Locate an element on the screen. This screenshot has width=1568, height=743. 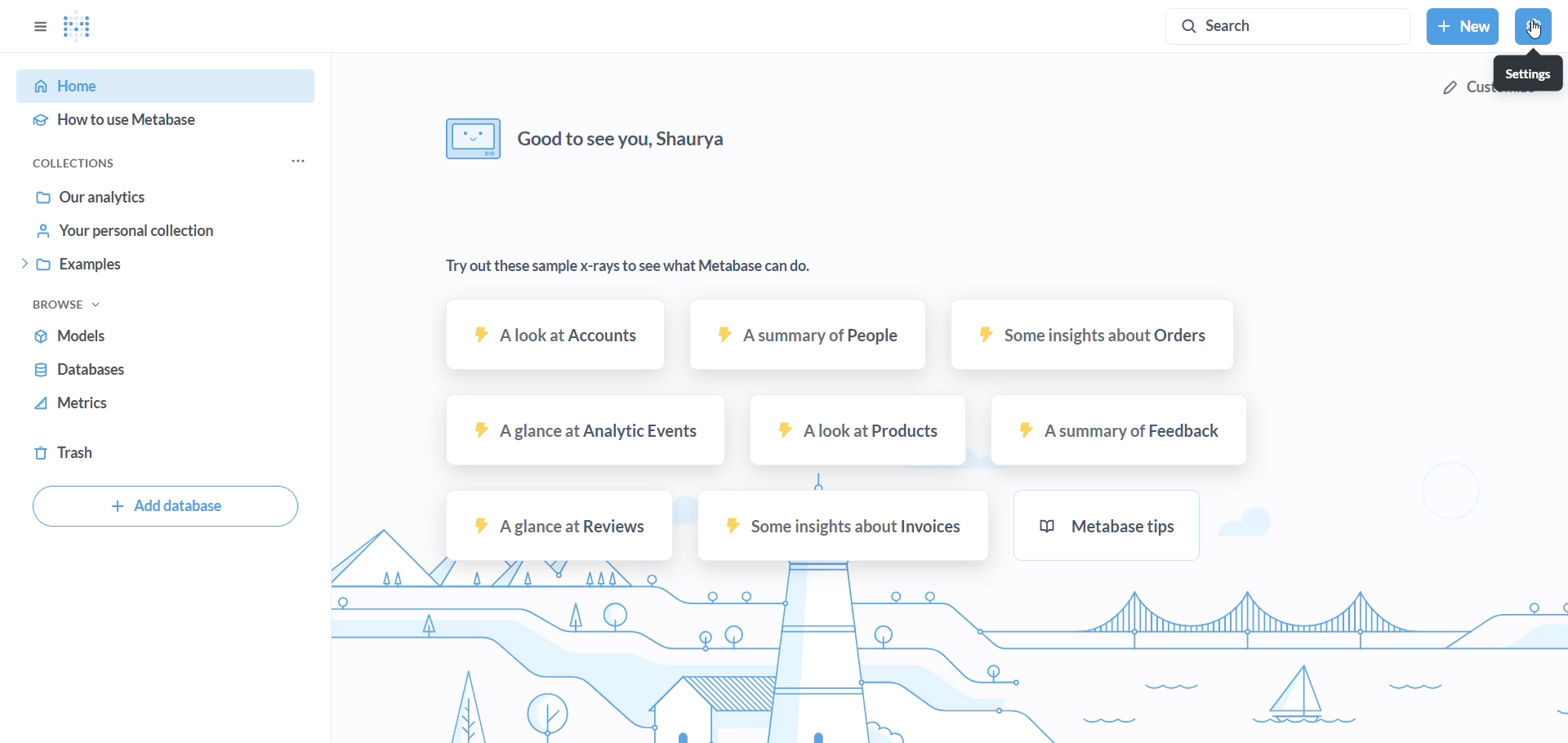
our analytics is located at coordinates (124, 198).